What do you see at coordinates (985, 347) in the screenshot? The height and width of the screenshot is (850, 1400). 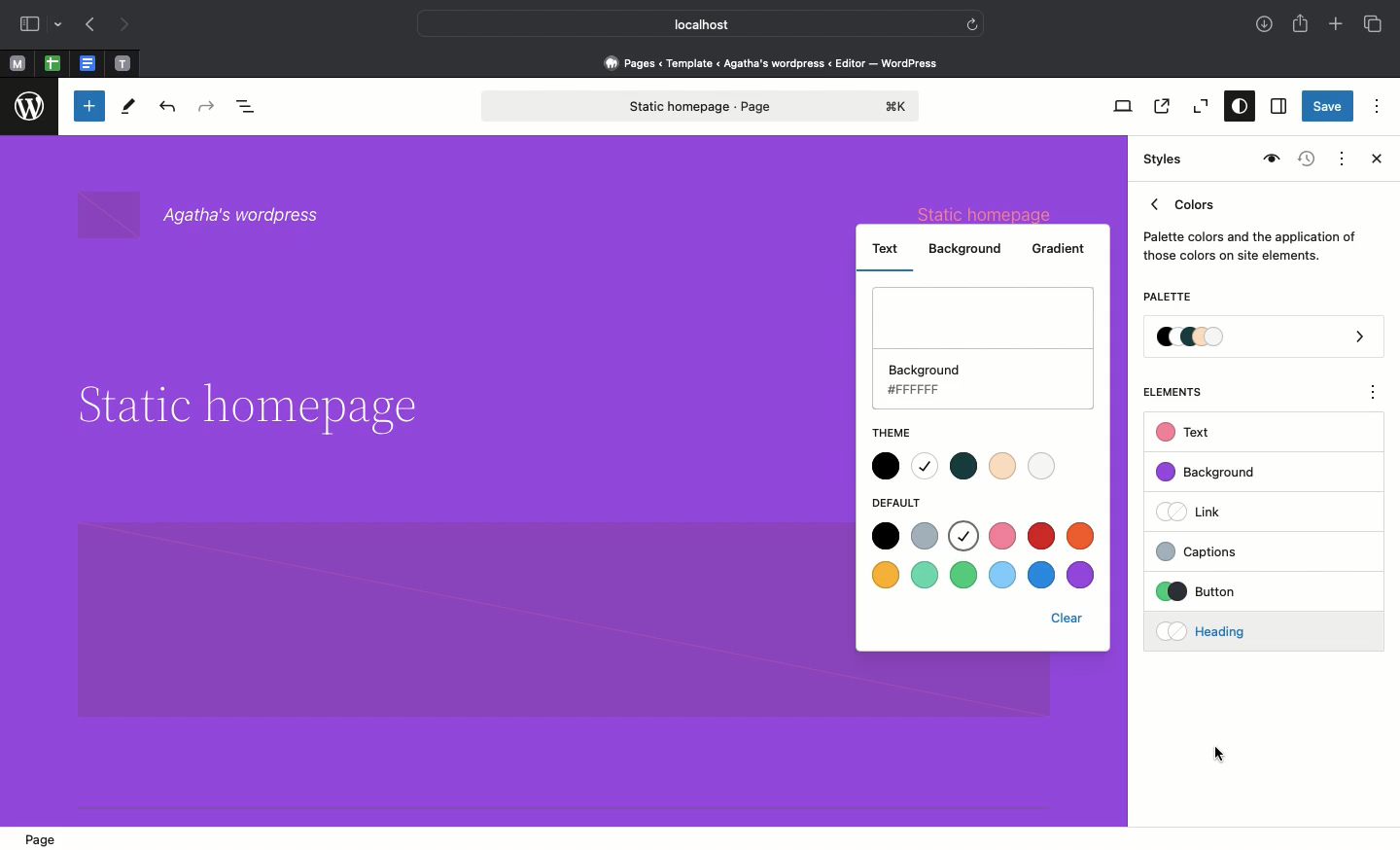 I see `No color selected` at bounding box center [985, 347].